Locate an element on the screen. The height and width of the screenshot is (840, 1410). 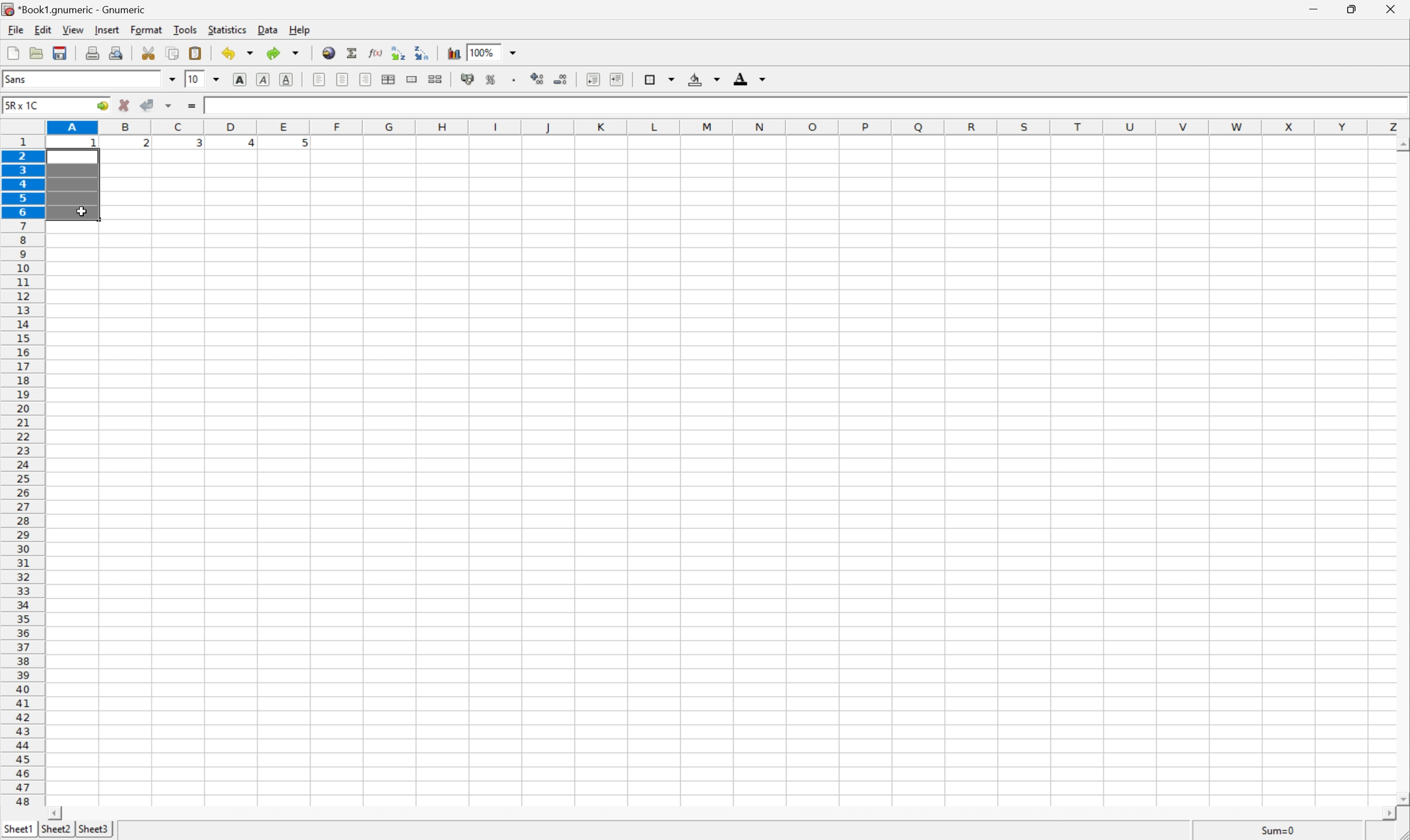
paste is located at coordinates (195, 52).